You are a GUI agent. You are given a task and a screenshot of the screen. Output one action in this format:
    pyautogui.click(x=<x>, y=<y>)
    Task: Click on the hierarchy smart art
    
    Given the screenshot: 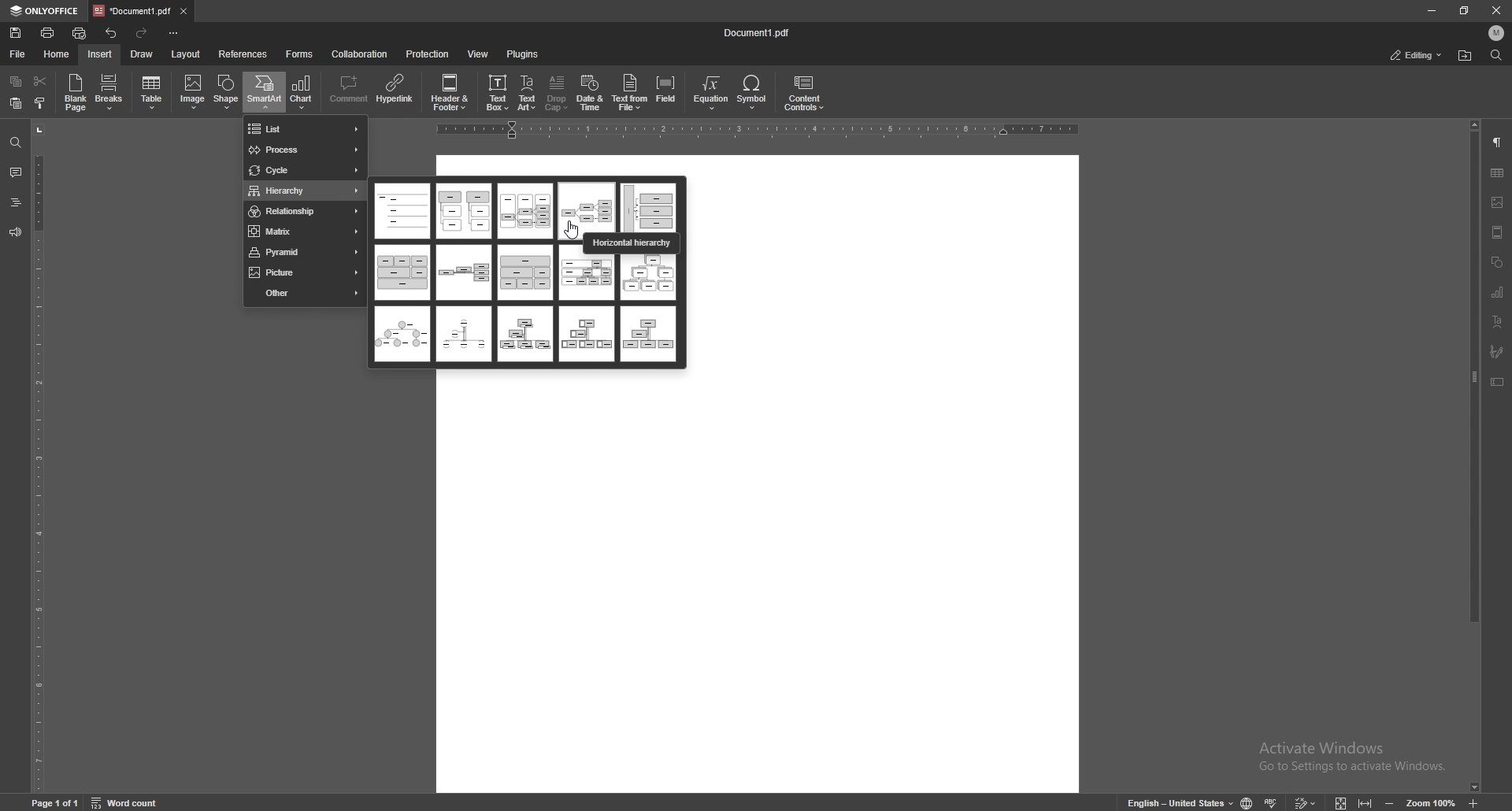 What is the action you would take?
    pyautogui.click(x=403, y=334)
    